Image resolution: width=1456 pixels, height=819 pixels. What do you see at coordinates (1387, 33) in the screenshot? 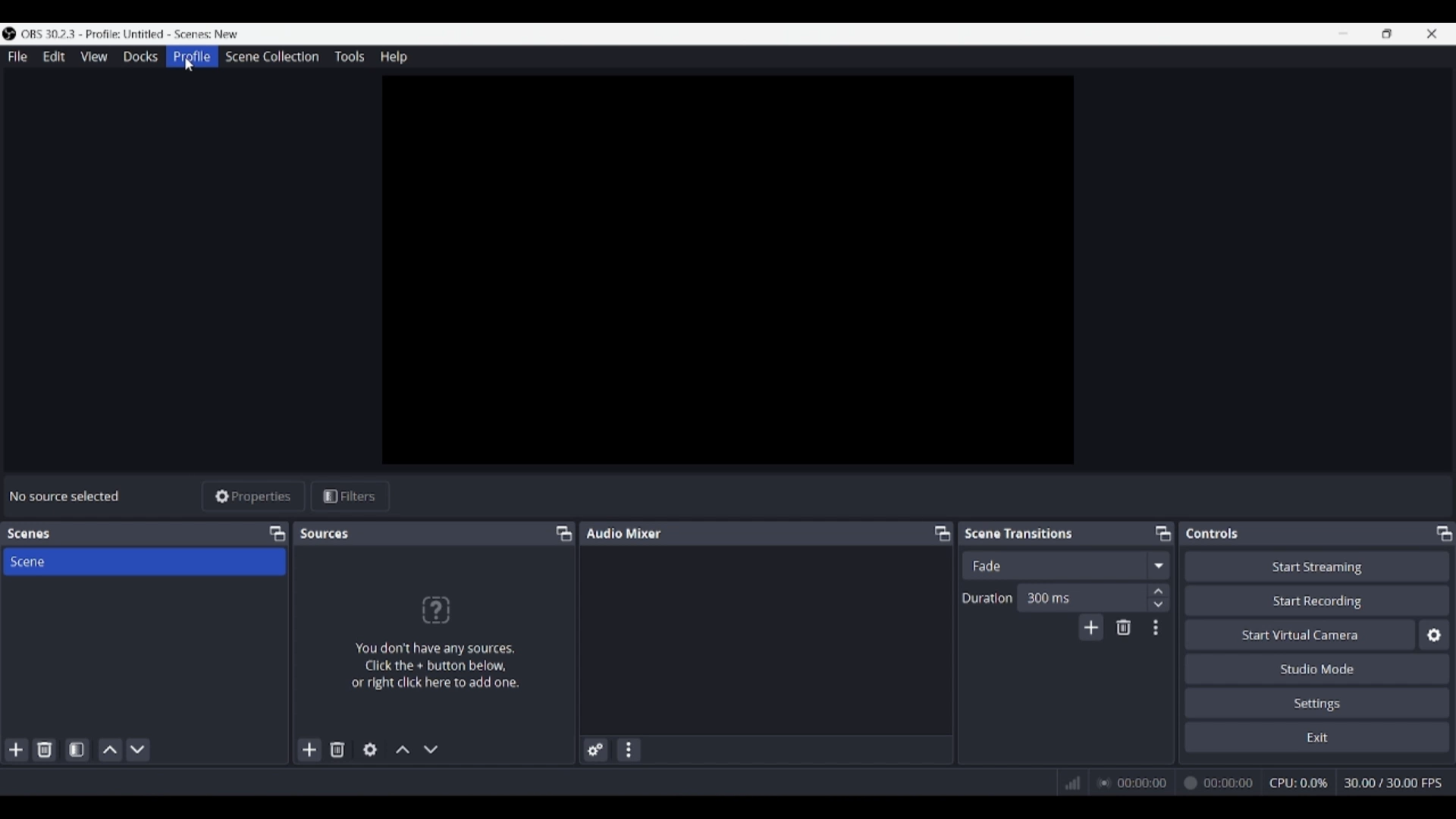
I see `Show interface in a smaller tab` at bounding box center [1387, 33].